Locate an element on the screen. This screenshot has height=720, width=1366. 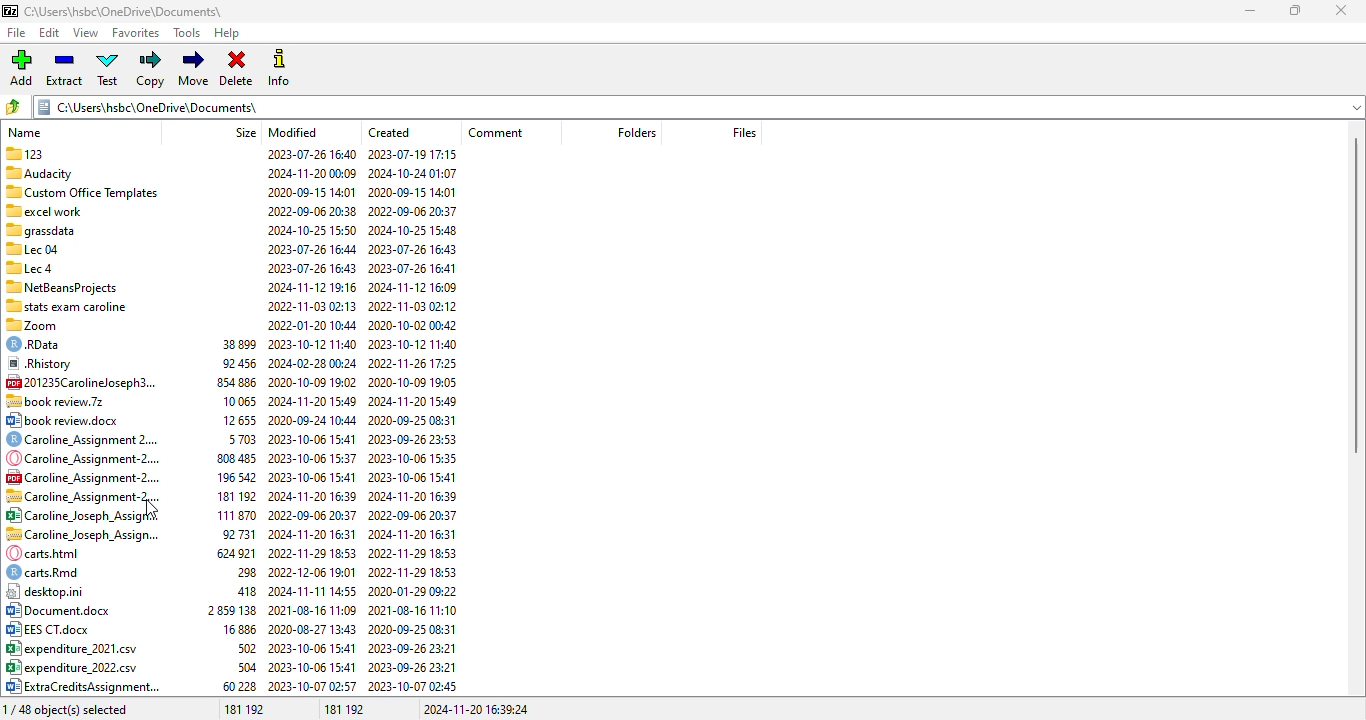
file is located at coordinates (17, 32).